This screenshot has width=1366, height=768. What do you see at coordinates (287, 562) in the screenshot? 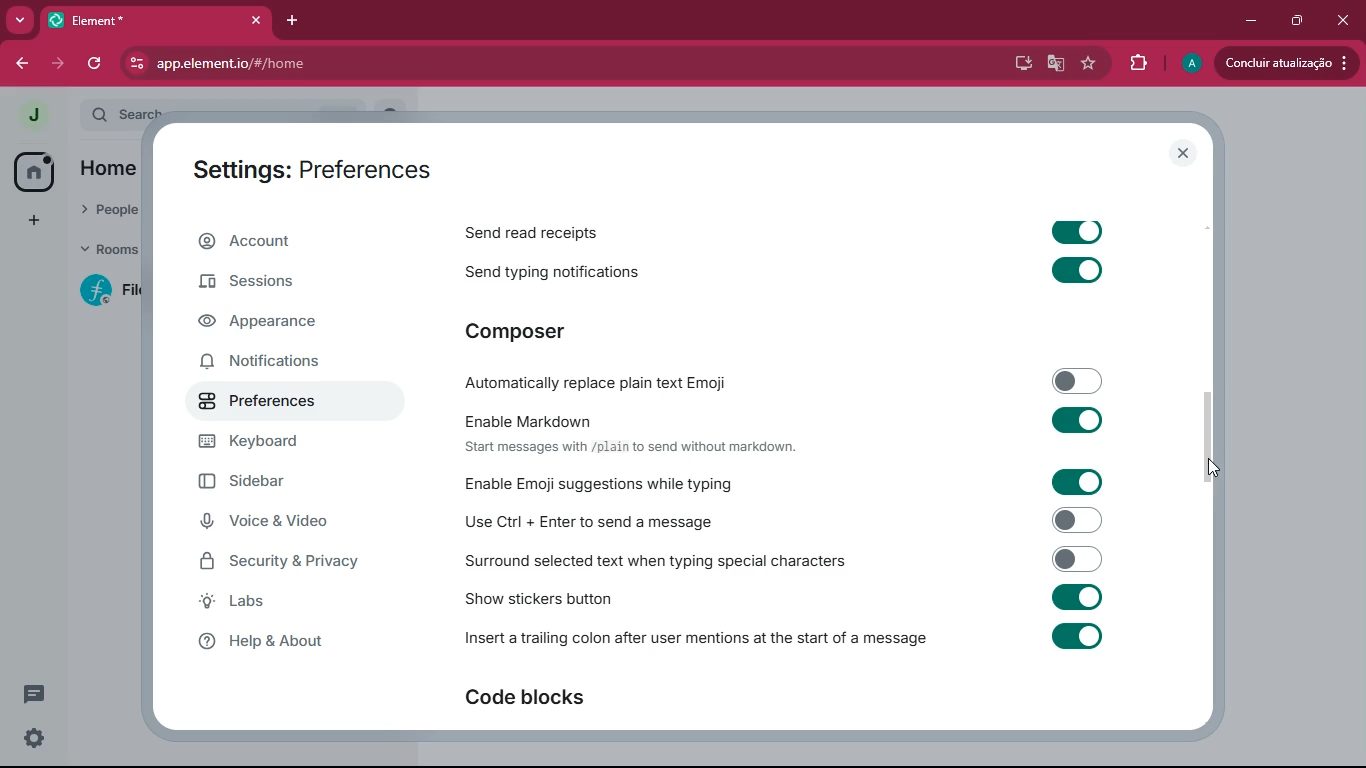
I see `security & privacy` at bounding box center [287, 562].